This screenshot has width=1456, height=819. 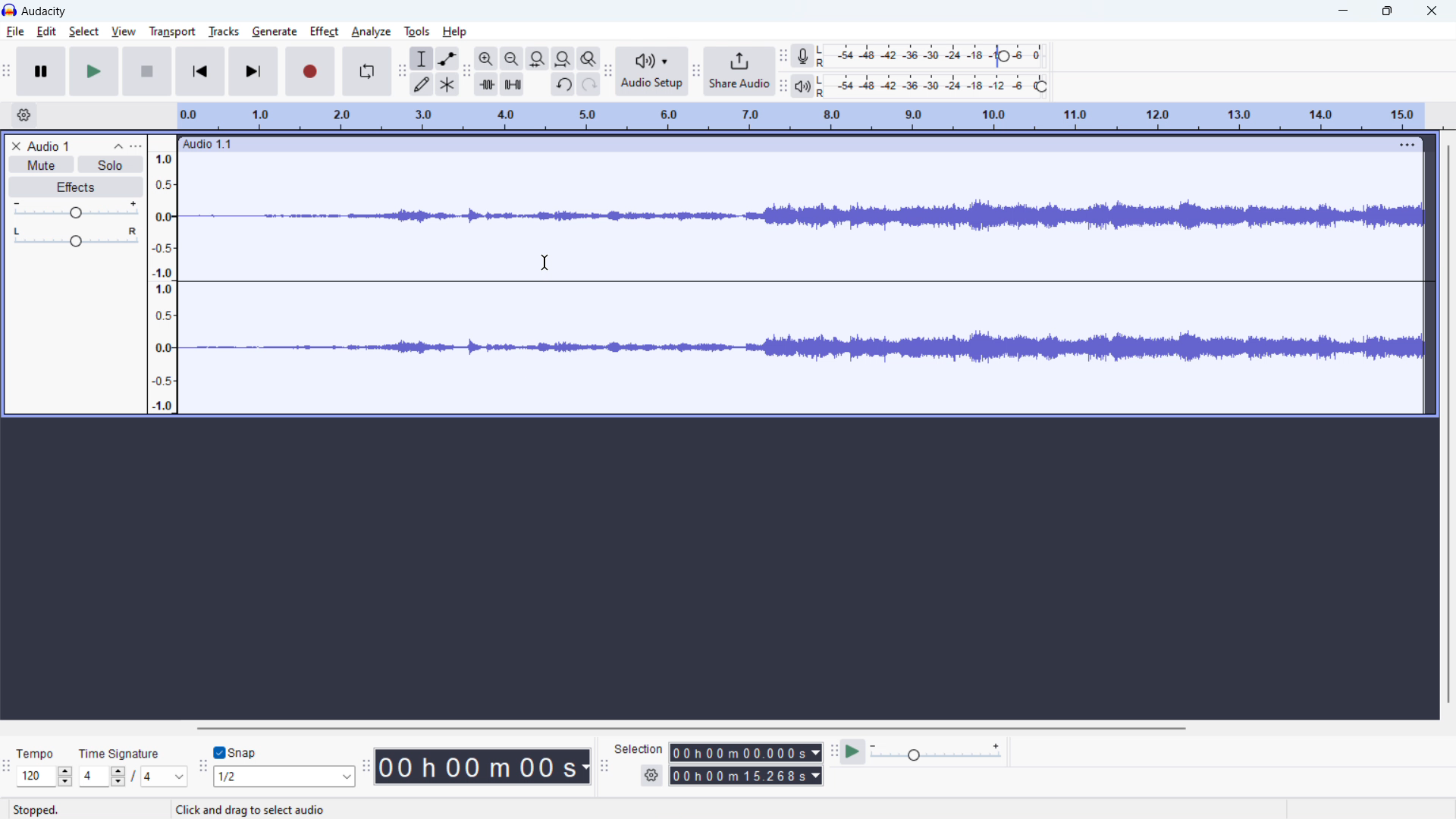 I want to click on enable looping, so click(x=366, y=71).